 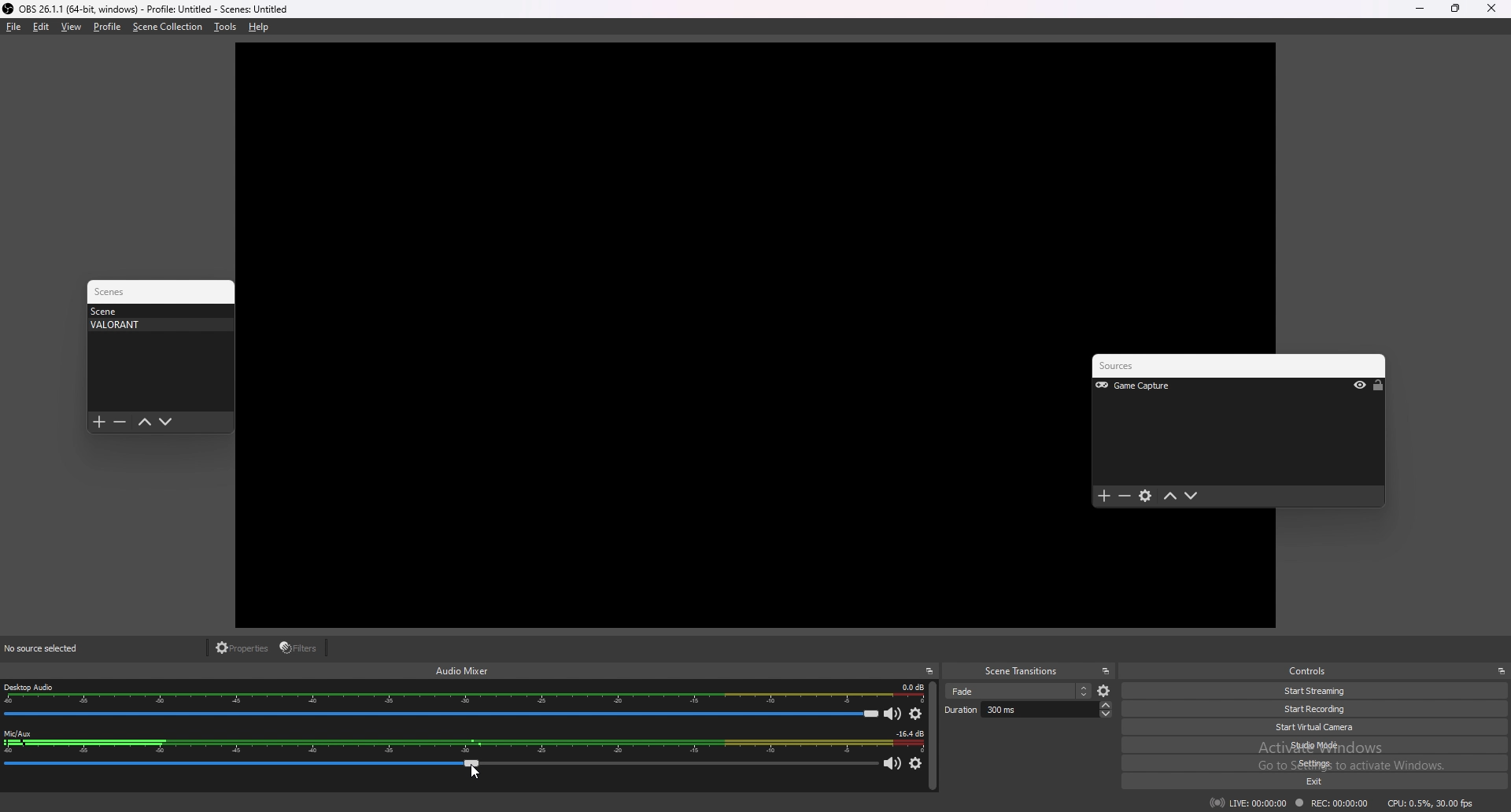 I want to click on controls, so click(x=1313, y=670).